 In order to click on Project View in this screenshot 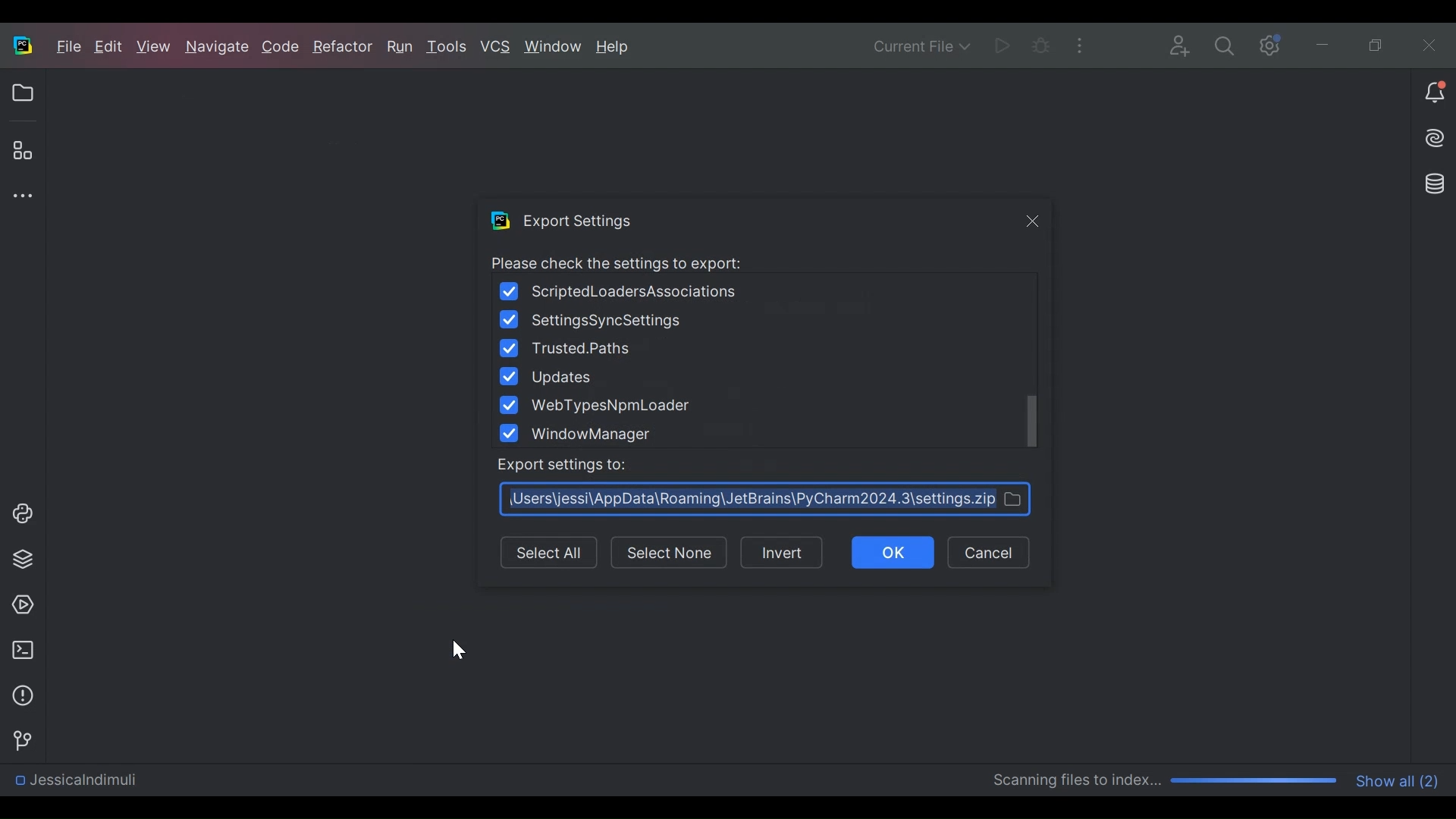, I will do `click(22, 93)`.